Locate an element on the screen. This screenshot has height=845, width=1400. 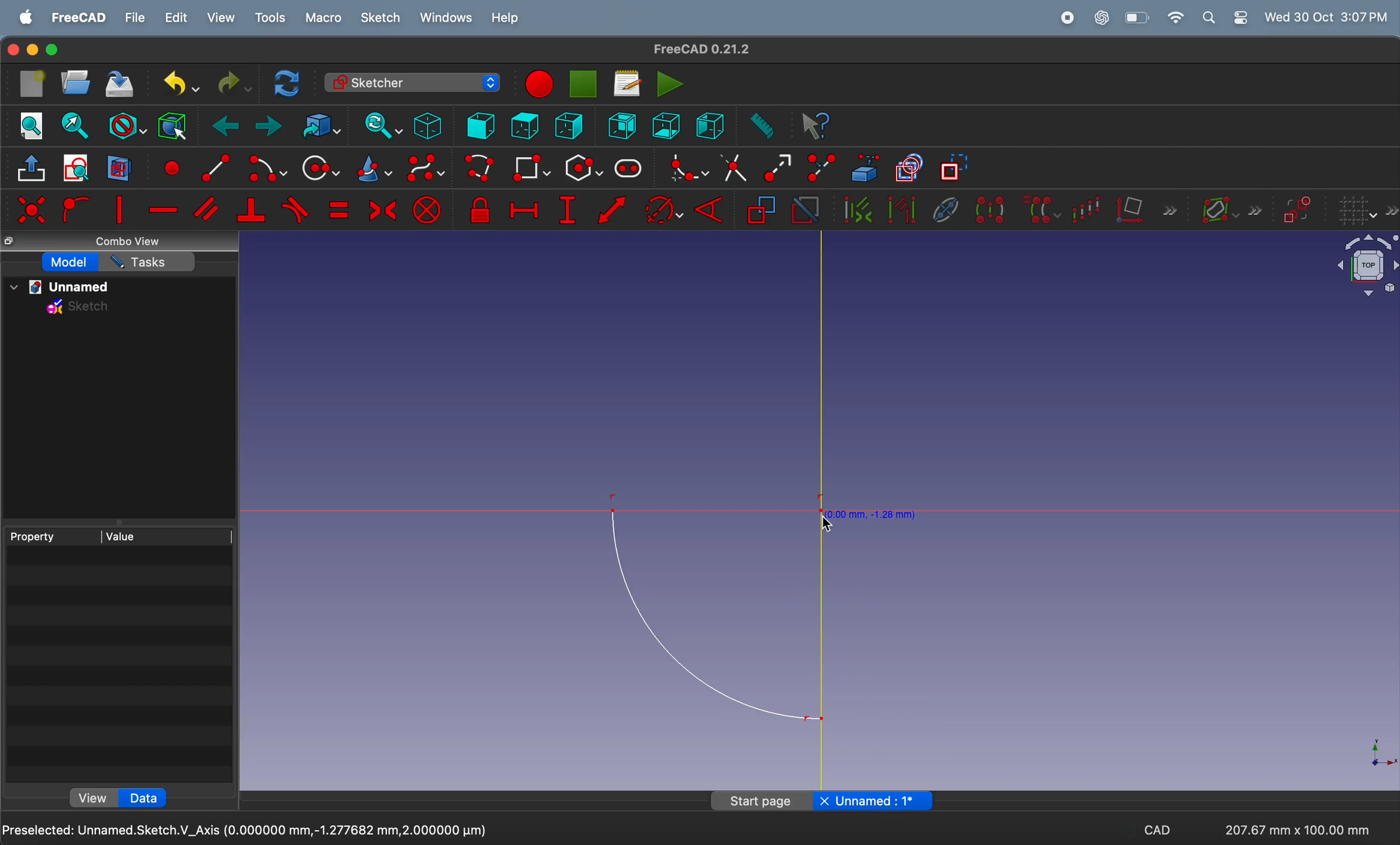
pause marco is located at coordinates (584, 84).